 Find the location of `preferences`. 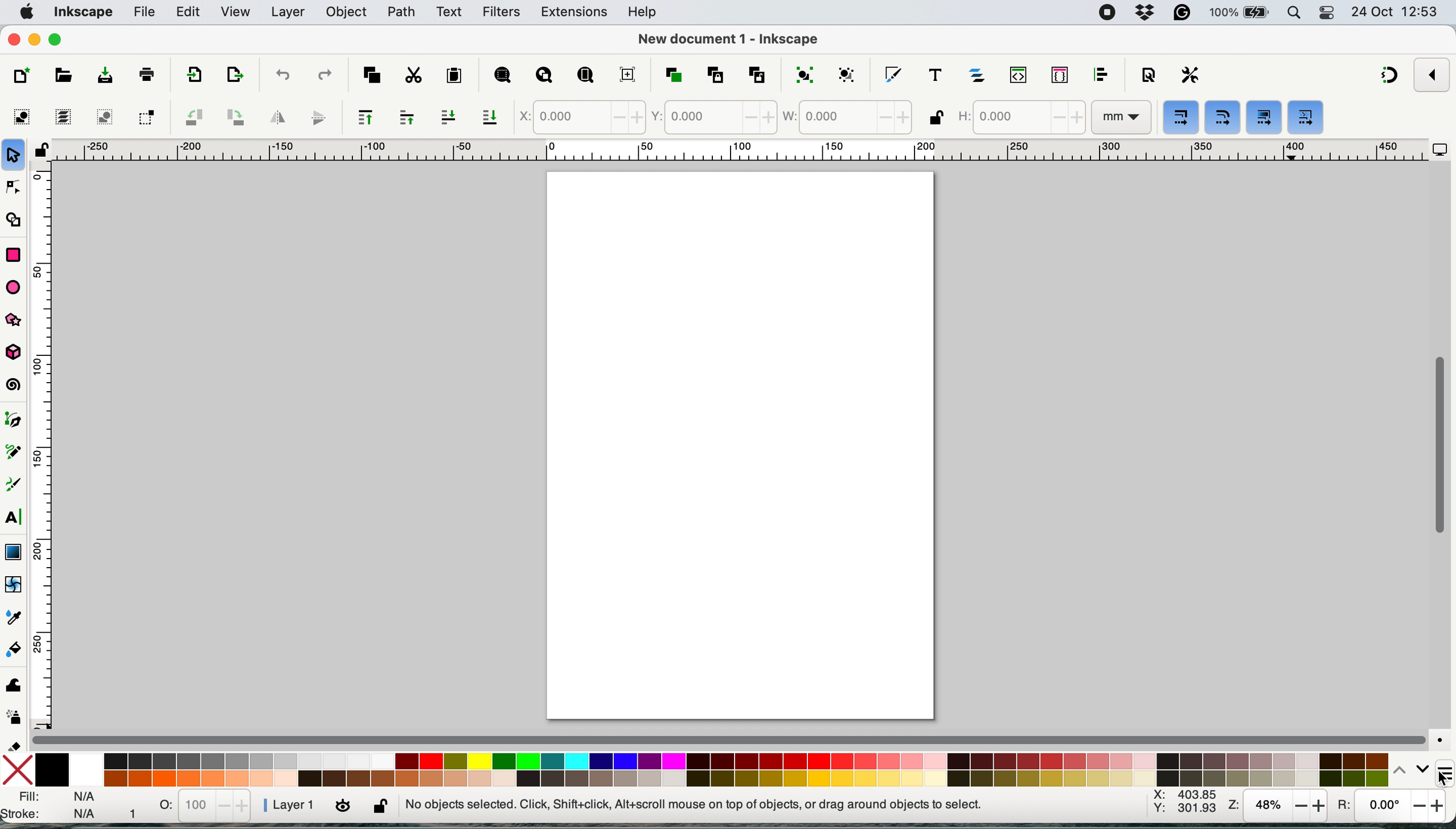

preferences is located at coordinates (1190, 74).